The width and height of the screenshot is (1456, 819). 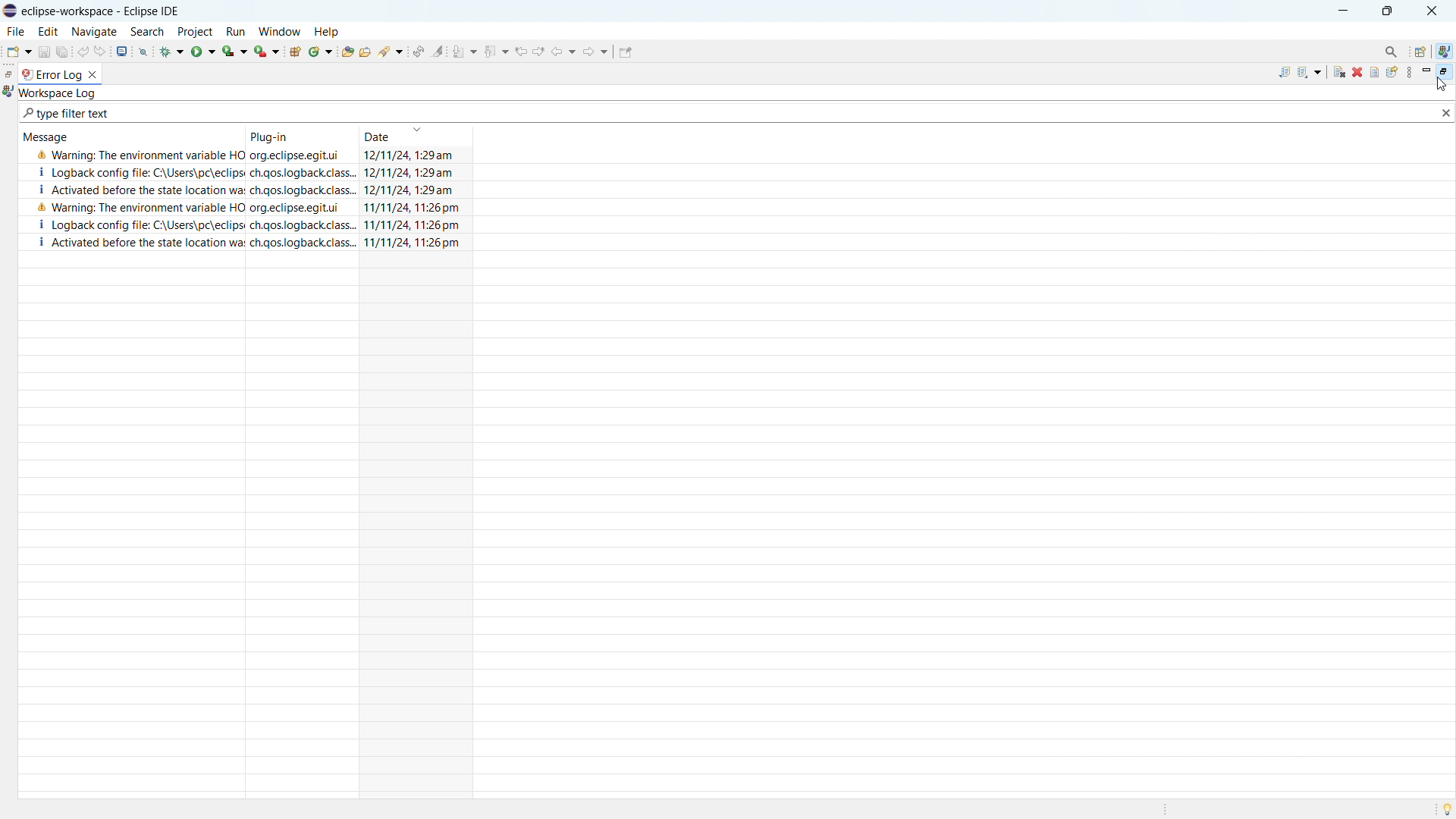 What do you see at coordinates (1392, 72) in the screenshot?
I see `restore log` at bounding box center [1392, 72].